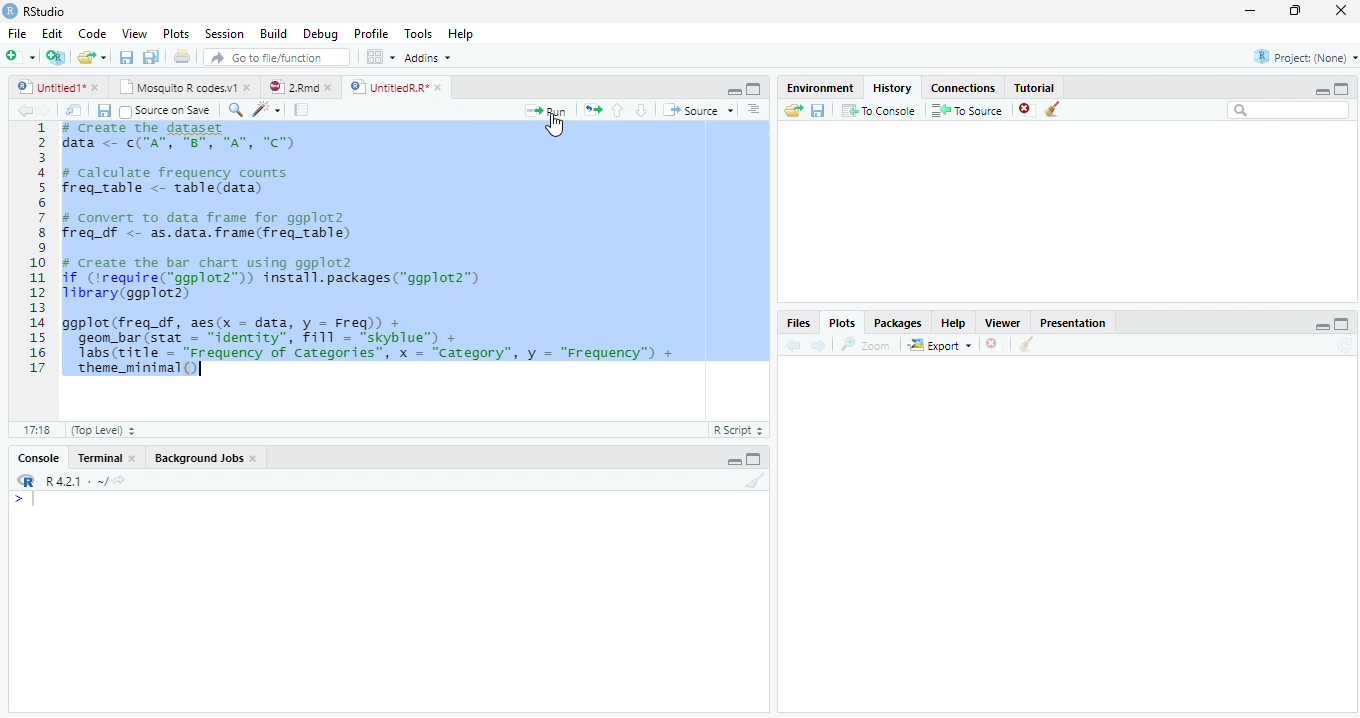 This screenshot has width=1360, height=718. I want to click on Create the dataset data <- c("a", "8", "A", "¢")calculate frequency countsreq_table <- table(data)Convert to data frame for ggplot2req_df <- as. data. frame(freq_table)Create the bar chart using ggplot2f (irequire(“ggplot2”)) install.packages(“ggplot2”)ibrary(ggplot2)gplot(freq df, aes(x = data, y = Freq) +geom_bar (stat = “identity”, fill = "skyblue") +labs (title = "Frequency of Categories”, x = “Category”, y = Frequency”) +theme_minimal 0], so click(416, 248).